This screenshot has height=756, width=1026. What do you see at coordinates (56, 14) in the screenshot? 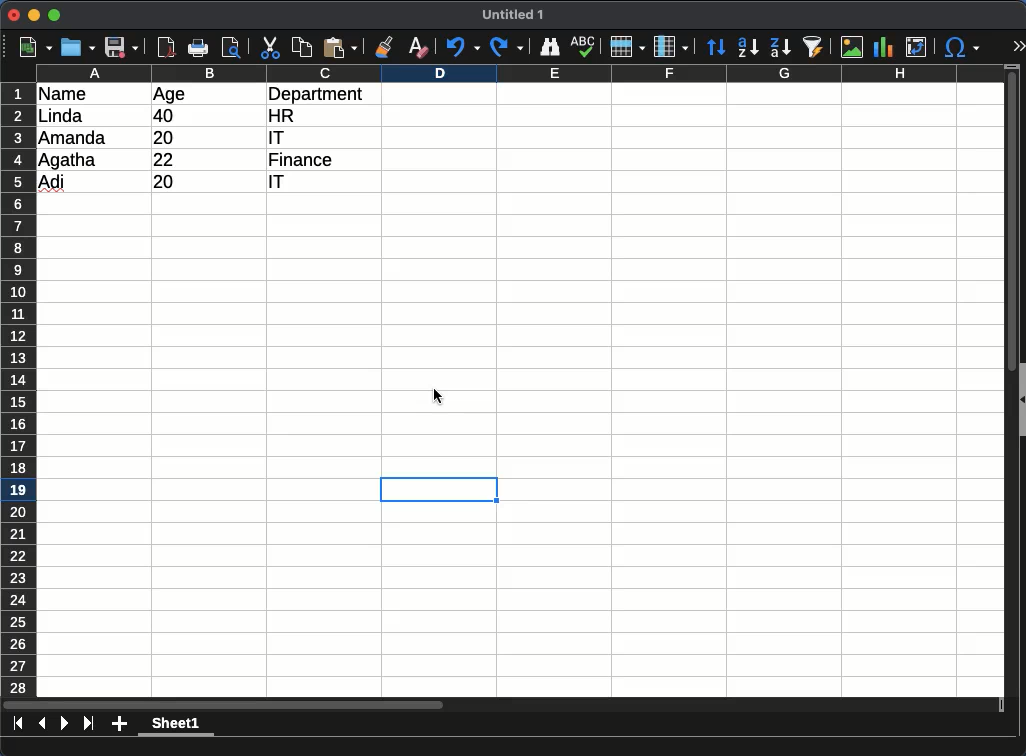
I see `maximize` at bounding box center [56, 14].